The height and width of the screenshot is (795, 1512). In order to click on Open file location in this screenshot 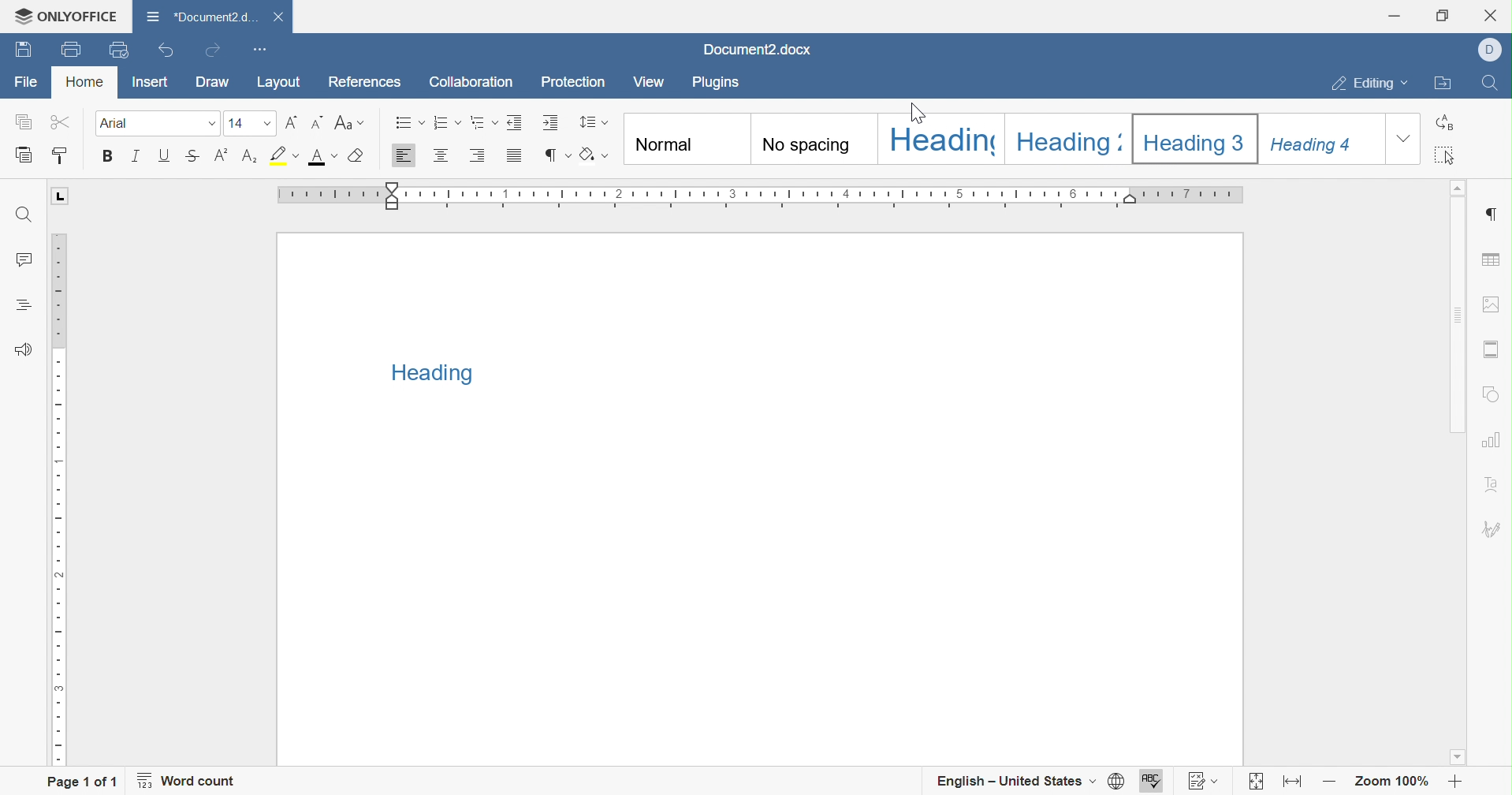, I will do `click(1443, 84)`.